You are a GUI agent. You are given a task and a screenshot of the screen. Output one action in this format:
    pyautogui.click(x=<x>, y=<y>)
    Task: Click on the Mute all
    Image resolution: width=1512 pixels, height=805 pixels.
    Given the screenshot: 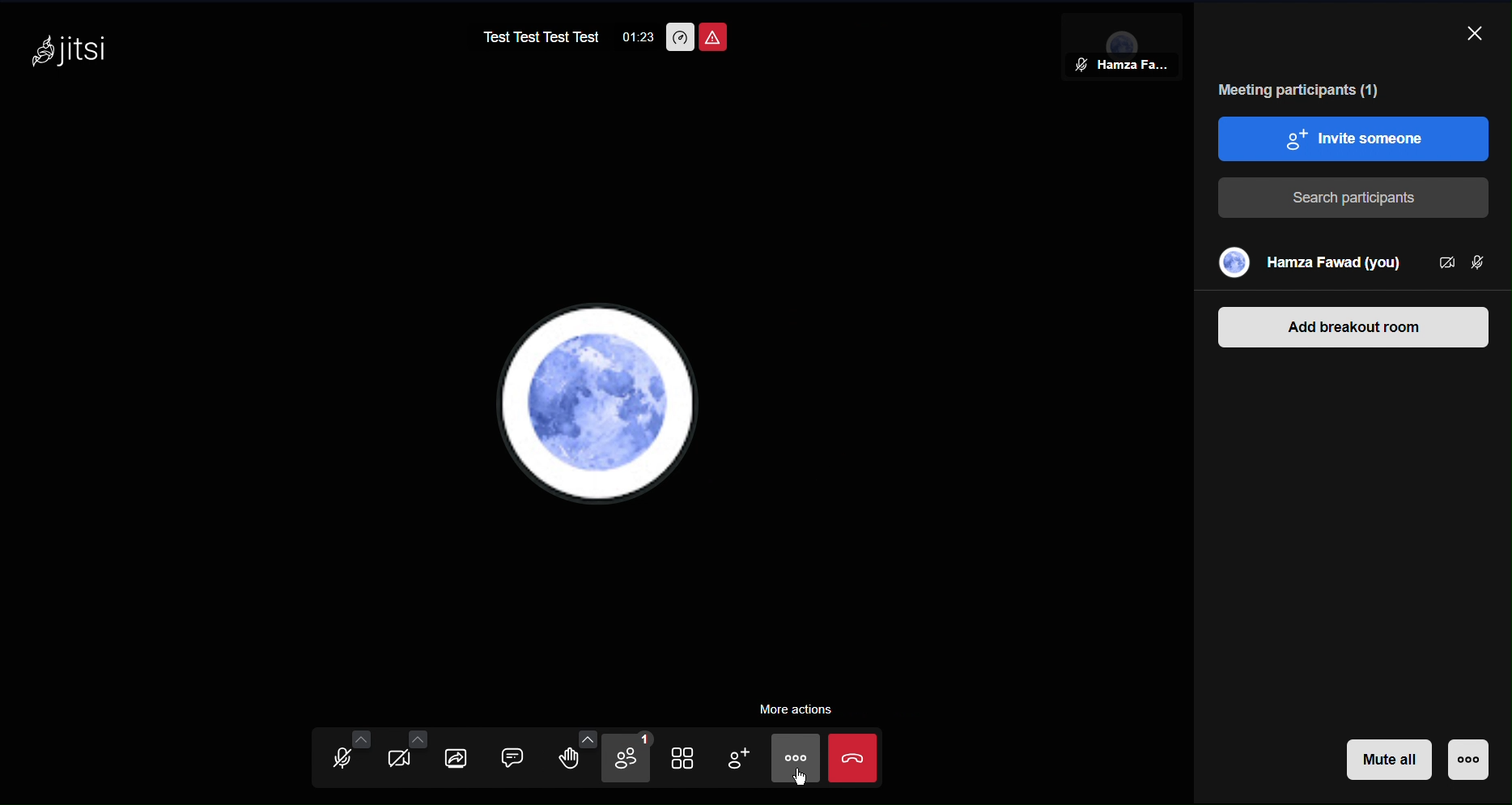 What is the action you would take?
    pyautogui.click(x=1391, y=762)
    